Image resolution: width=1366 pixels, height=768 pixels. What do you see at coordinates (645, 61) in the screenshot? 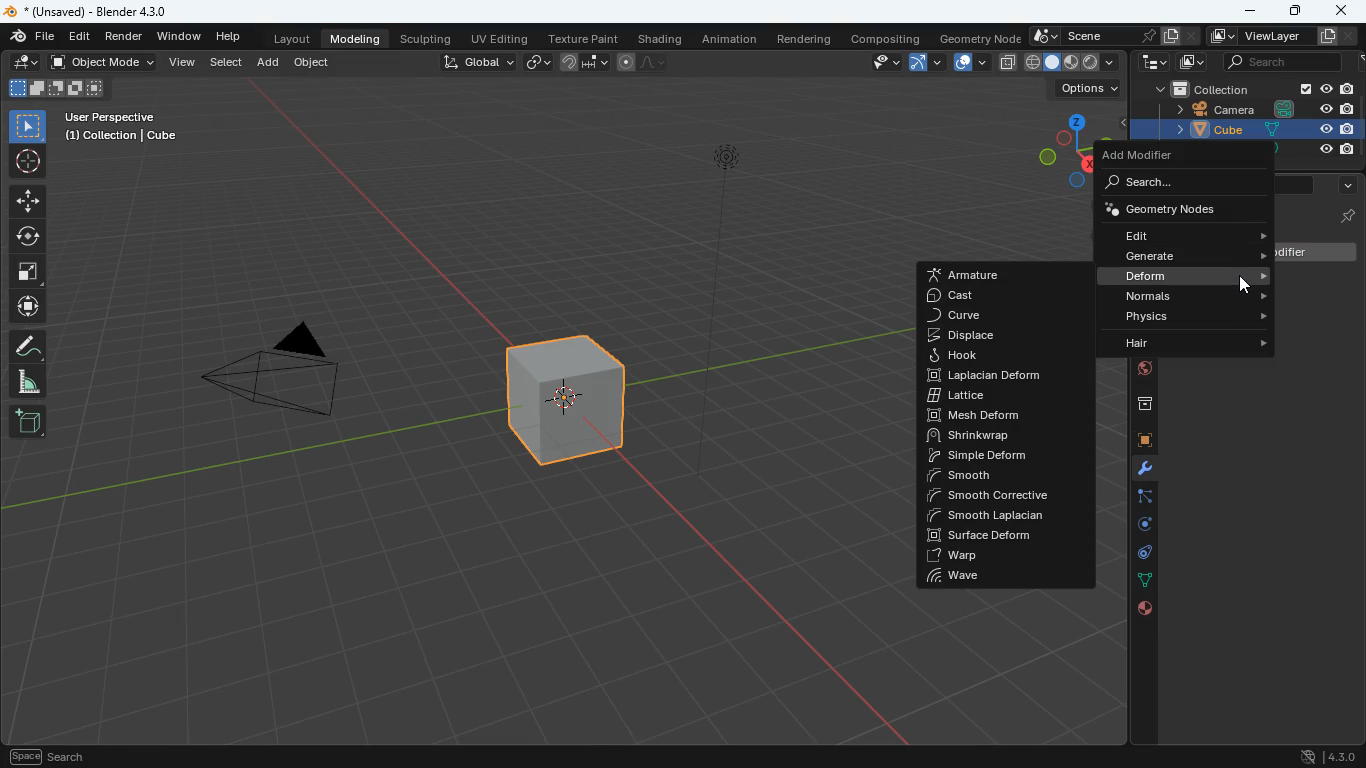
I see `line` at bounding box center [645, 61].